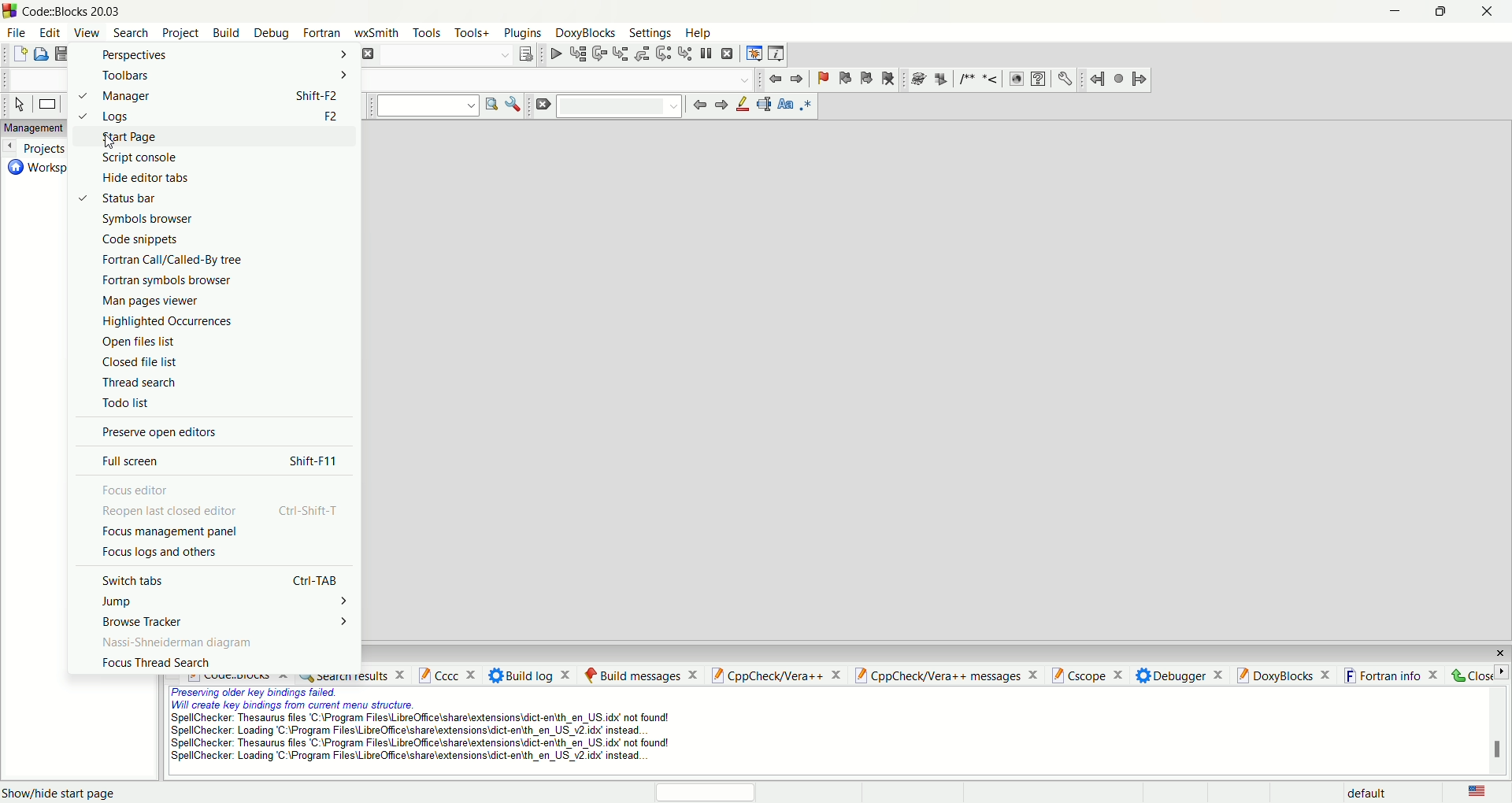 This screenshot has width=1512, height=803. What do you see at coordinates (1284, 675) in the screenshot?
I see `doxyblocks` at bounding box center [1284, 675].